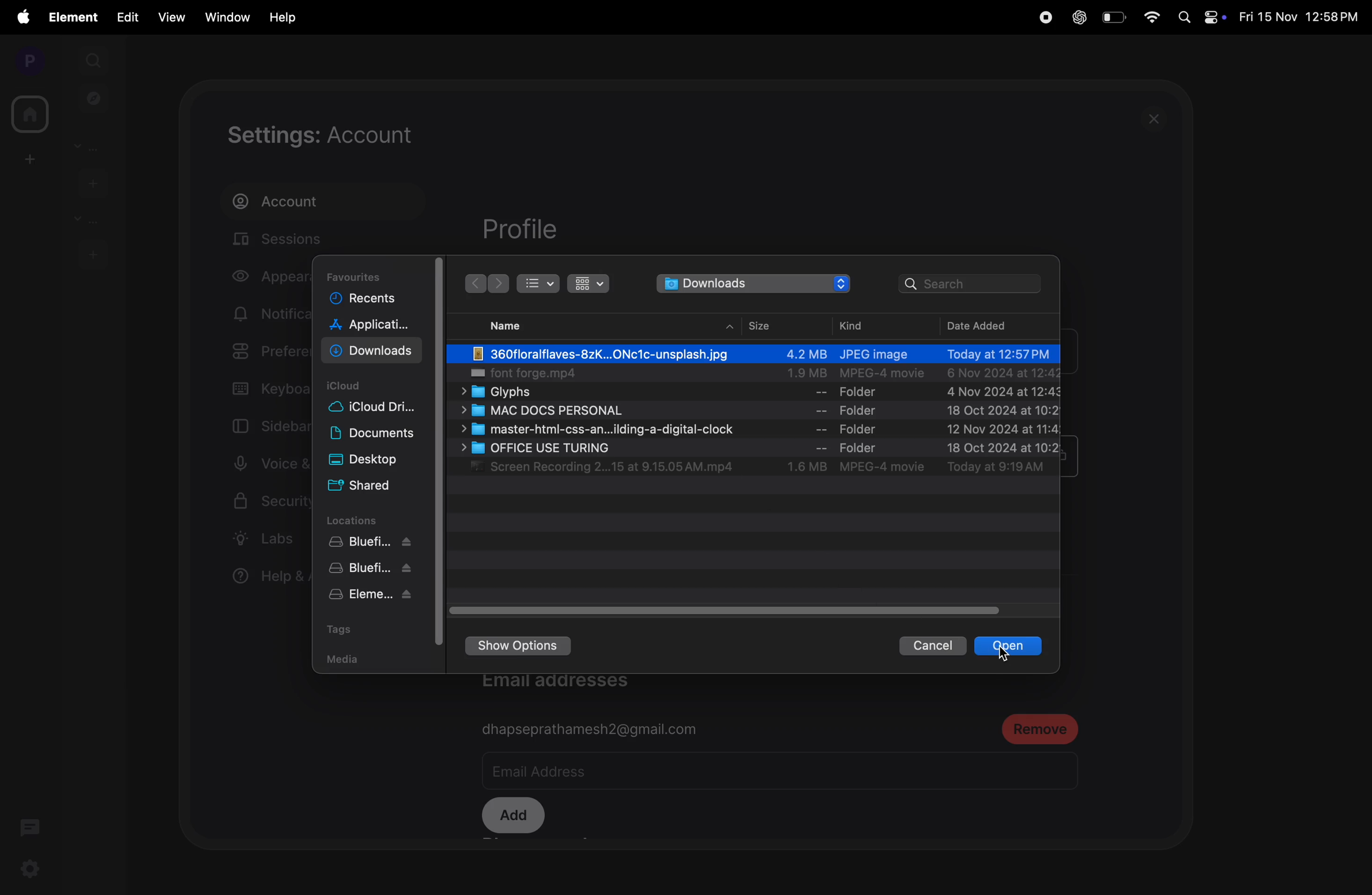 This screenshot has width=1372, height=895. I want to click on recents, so click(365, 297).